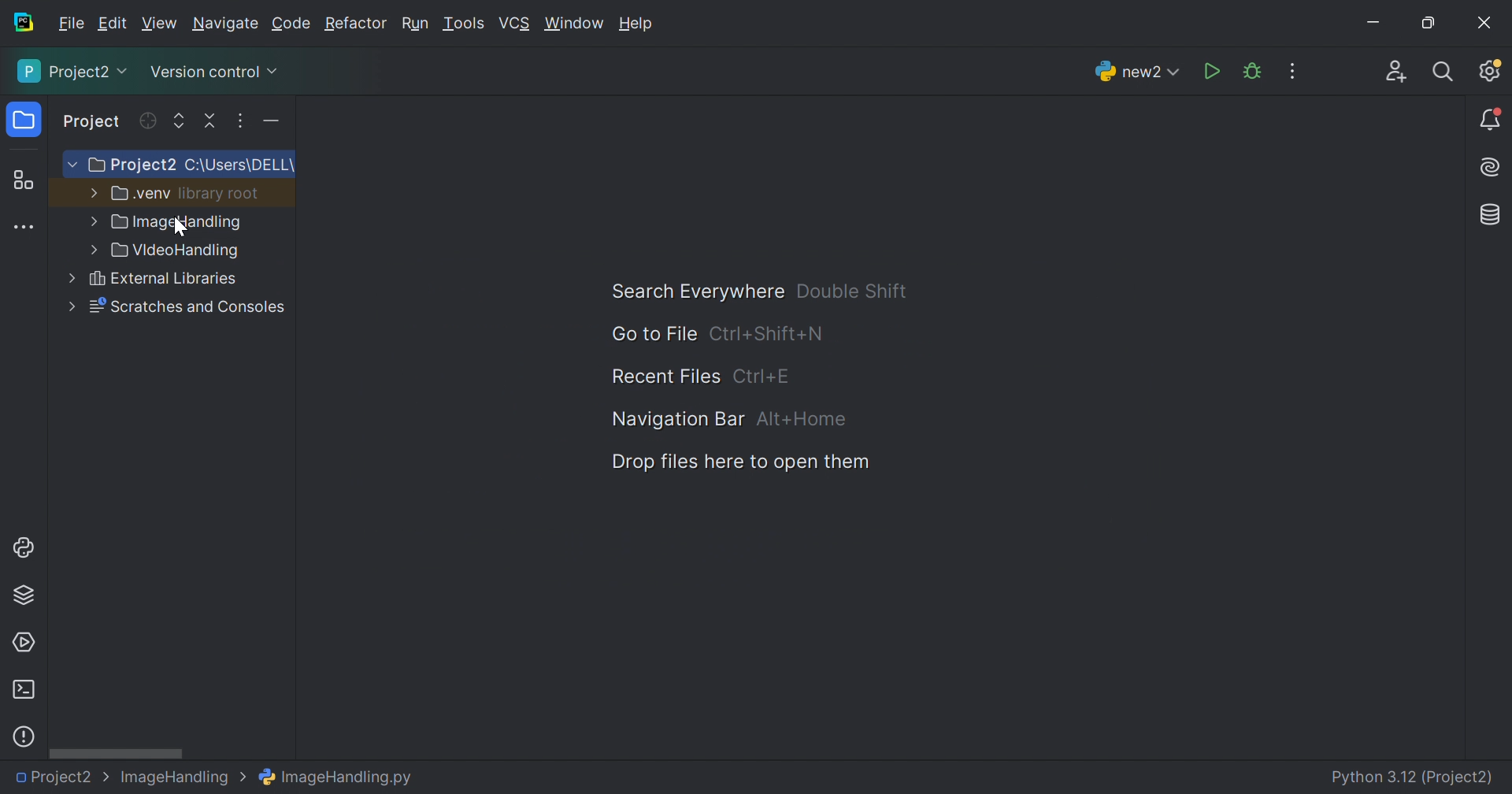 The width and height of the screenshot is (1512, 794). What do you see at coordinates (112, 24) in the screenshot?
I see `Edit` at bounding box center [112, 24].